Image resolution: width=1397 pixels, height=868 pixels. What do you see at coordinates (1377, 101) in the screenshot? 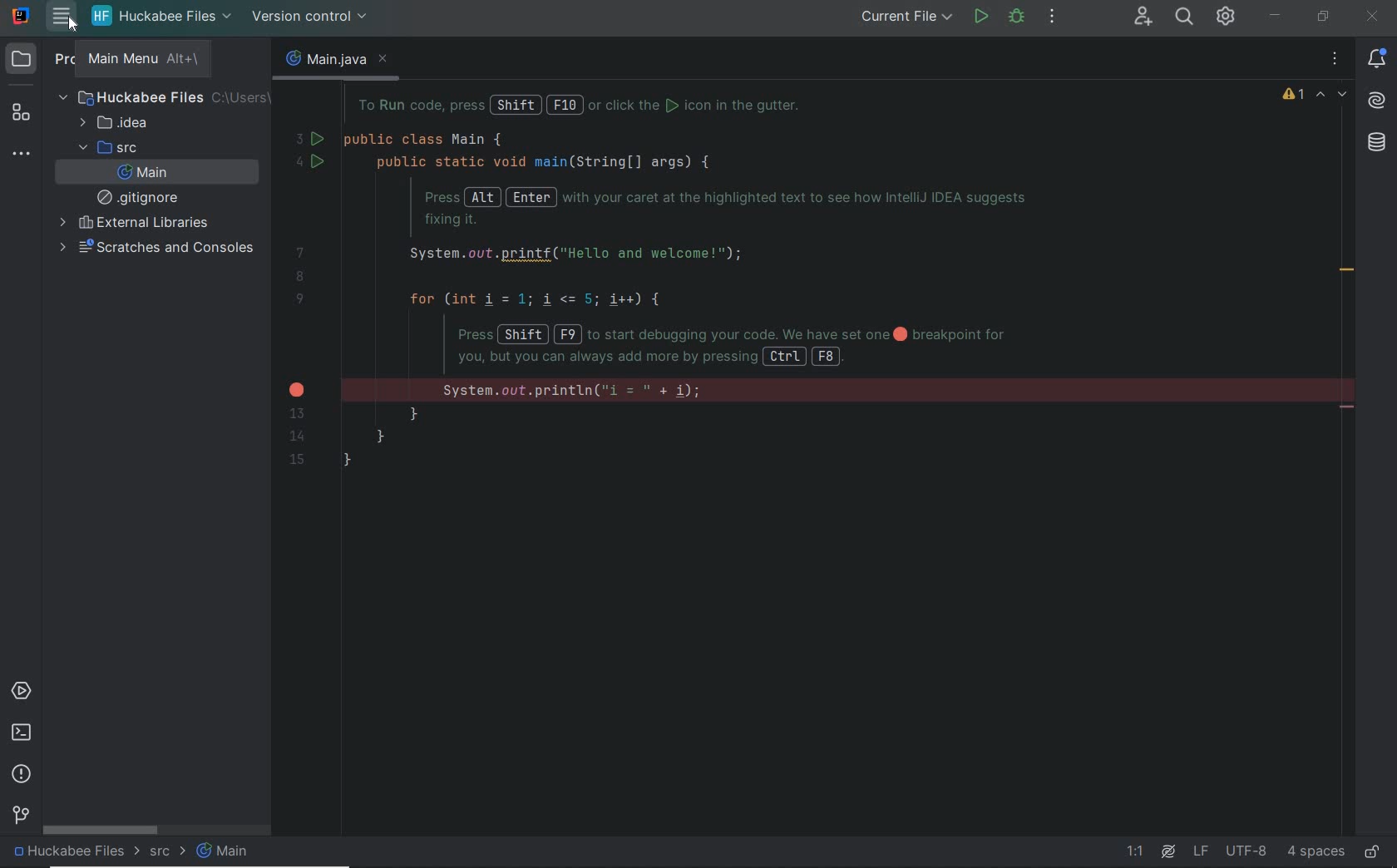
I see `AI Assistant` at bounding box center [1377, 101].